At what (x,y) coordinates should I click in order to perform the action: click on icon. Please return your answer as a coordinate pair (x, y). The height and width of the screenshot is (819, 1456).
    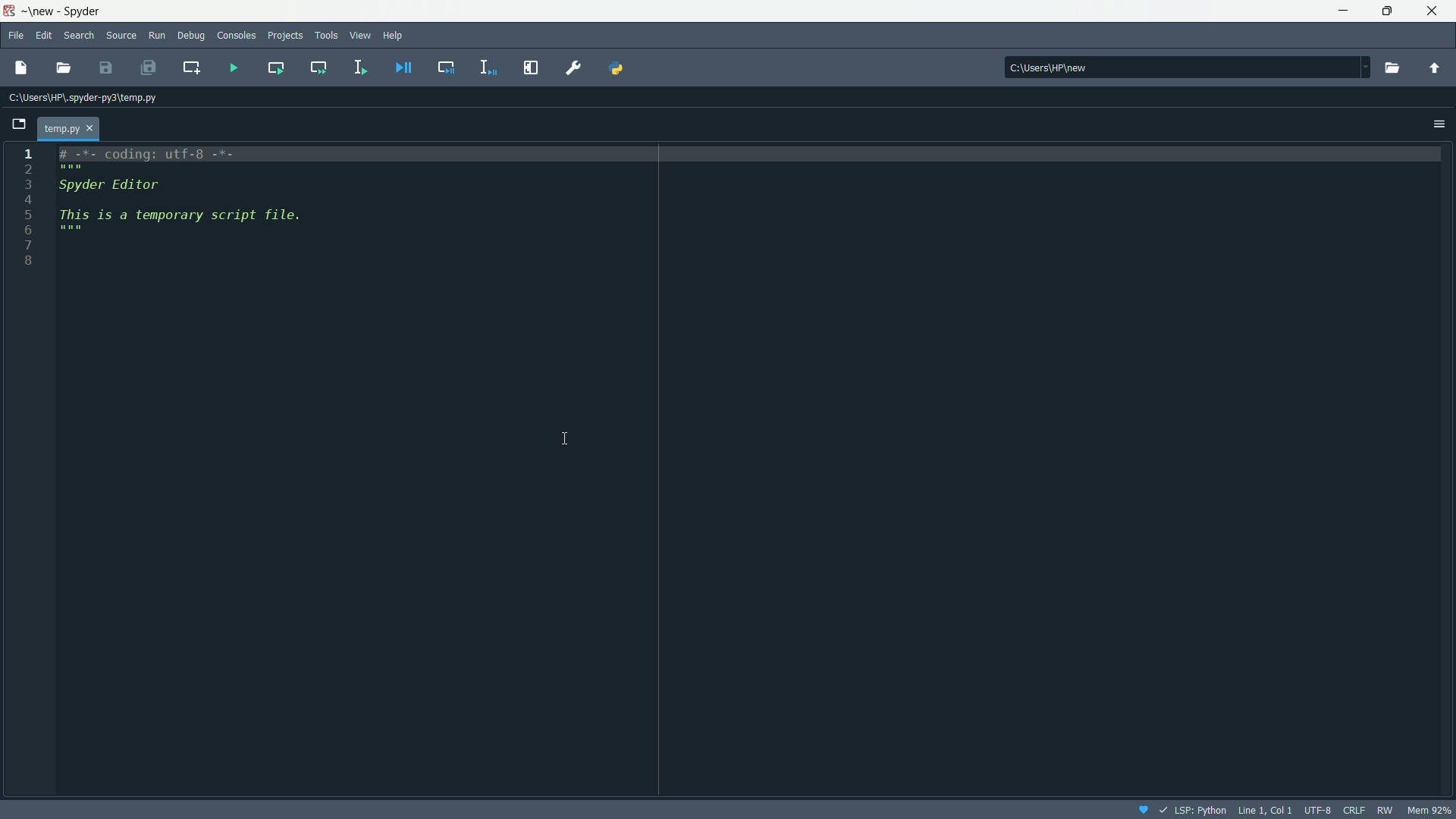
    Looking at the image, I should click on (1141, 808).